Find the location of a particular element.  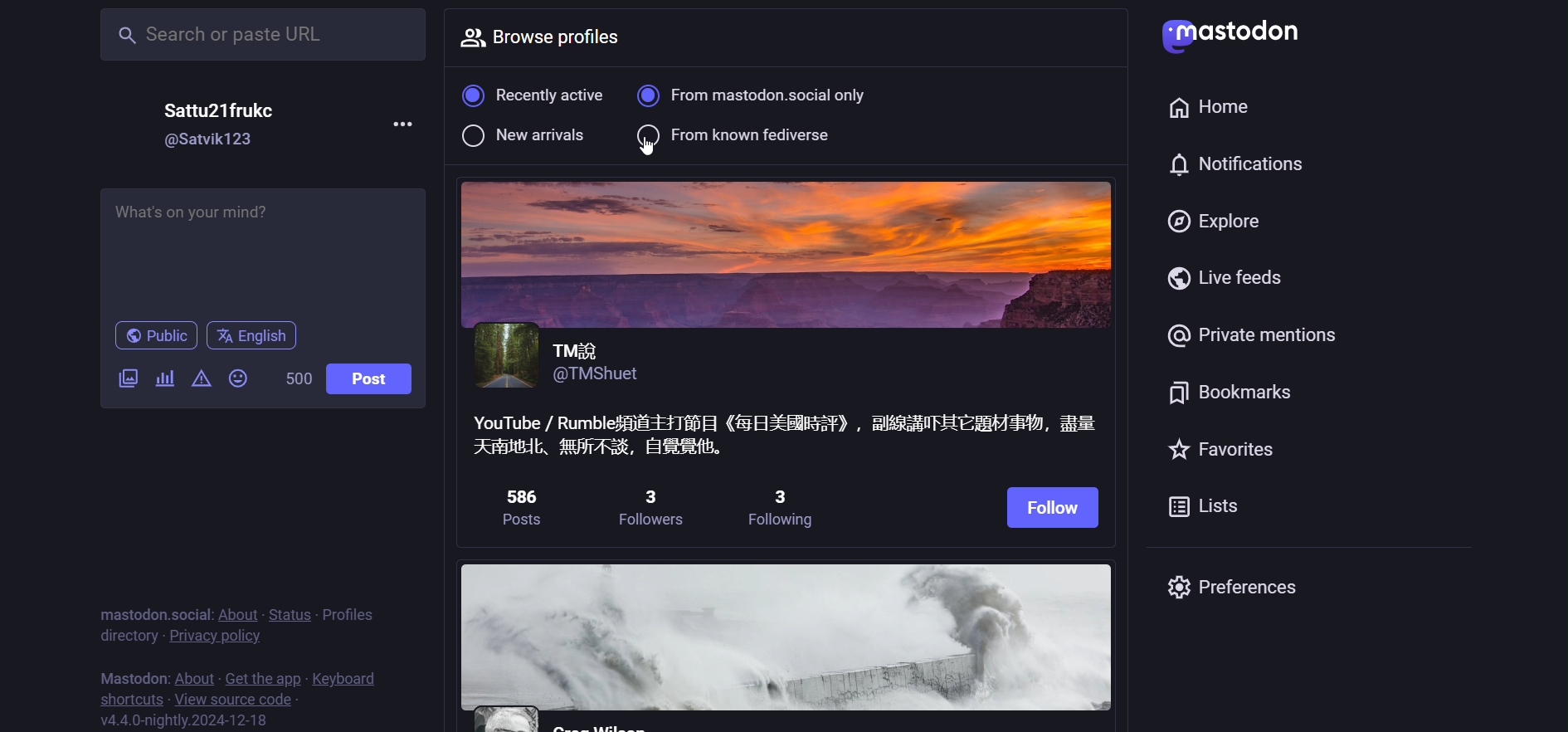

from known fediverse is located at coordinates (765, 133).